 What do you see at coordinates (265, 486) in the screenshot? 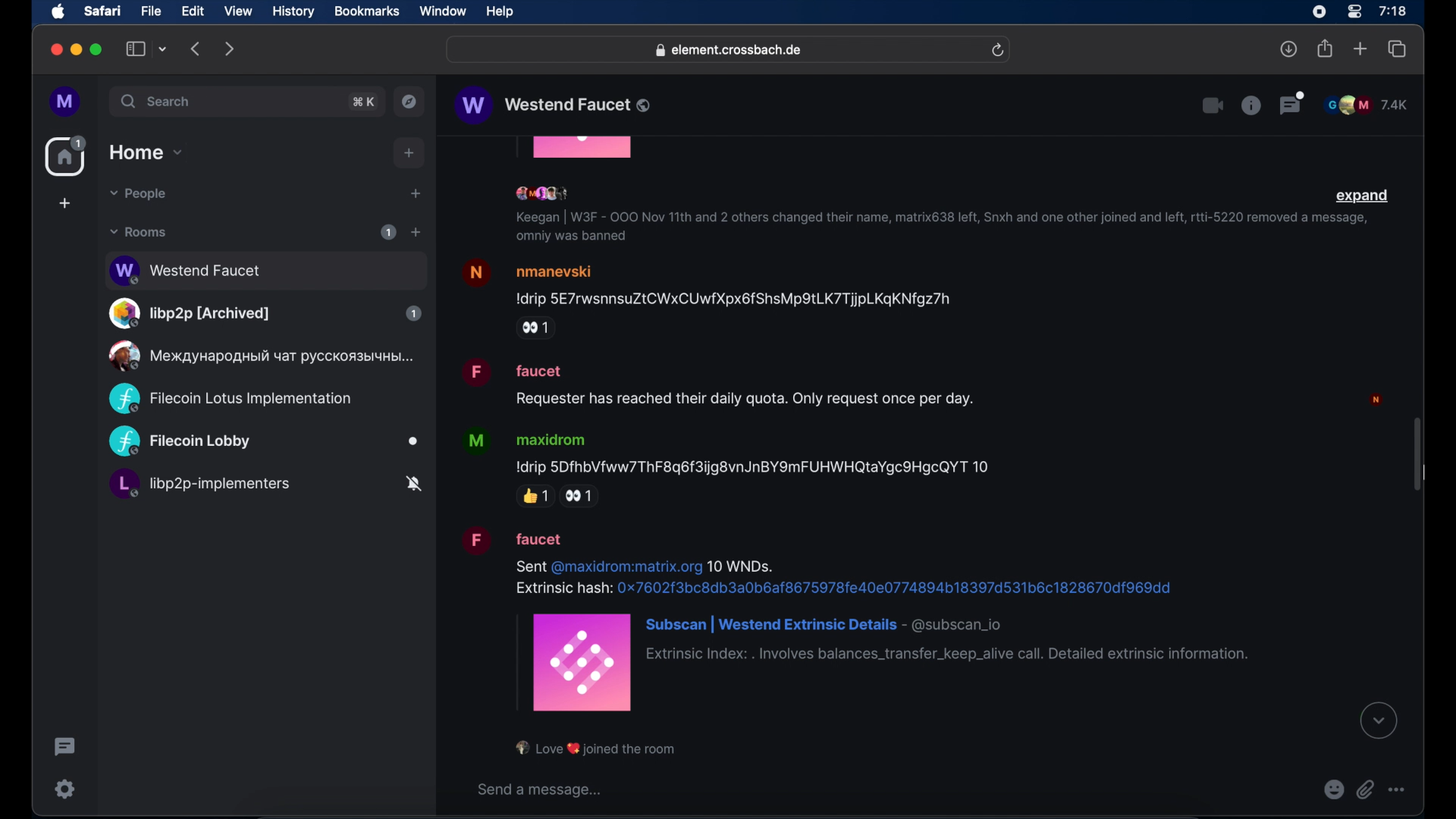
I see `public room` at bounding box center [265, 486].